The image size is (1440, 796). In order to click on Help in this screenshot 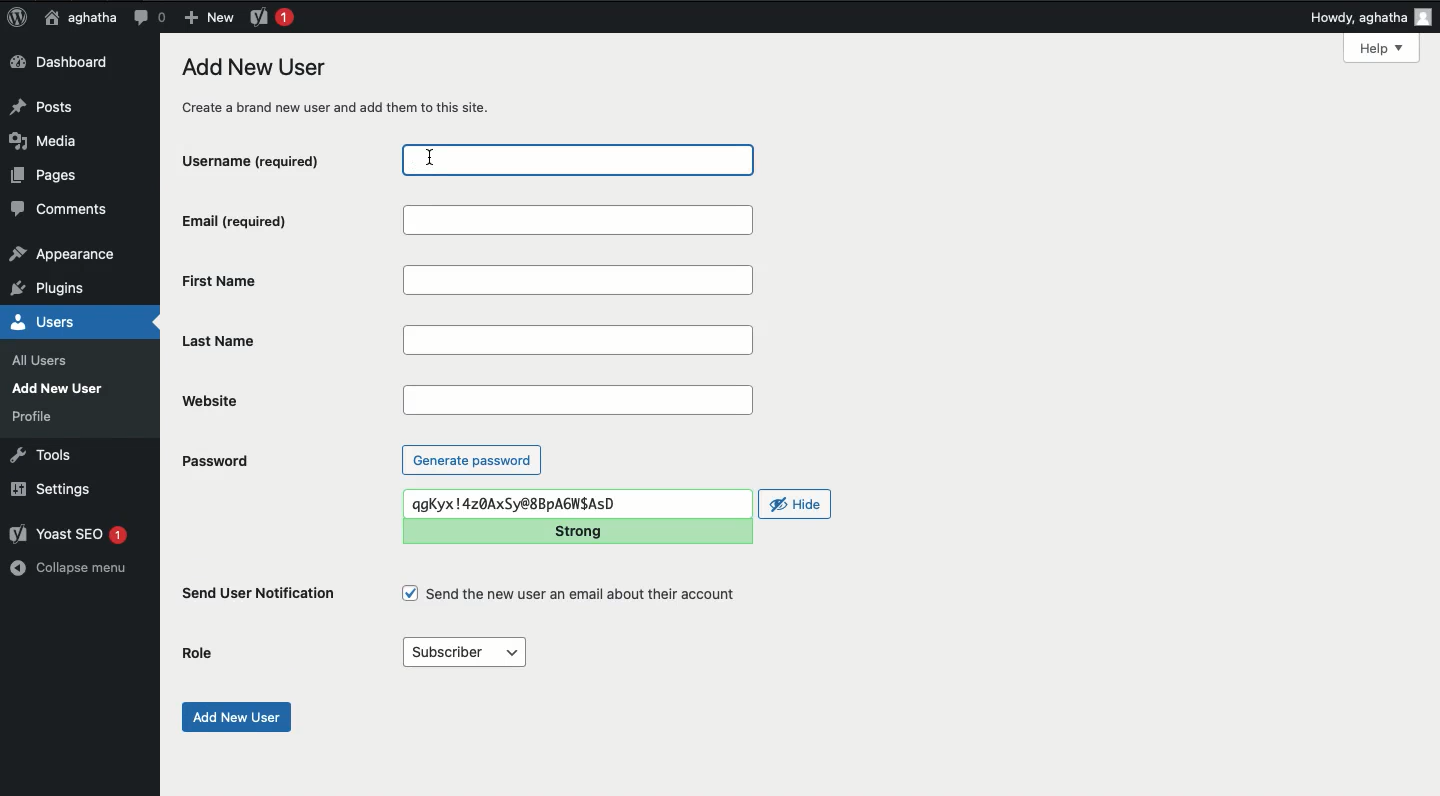, I will do `click(1381, 48)`.